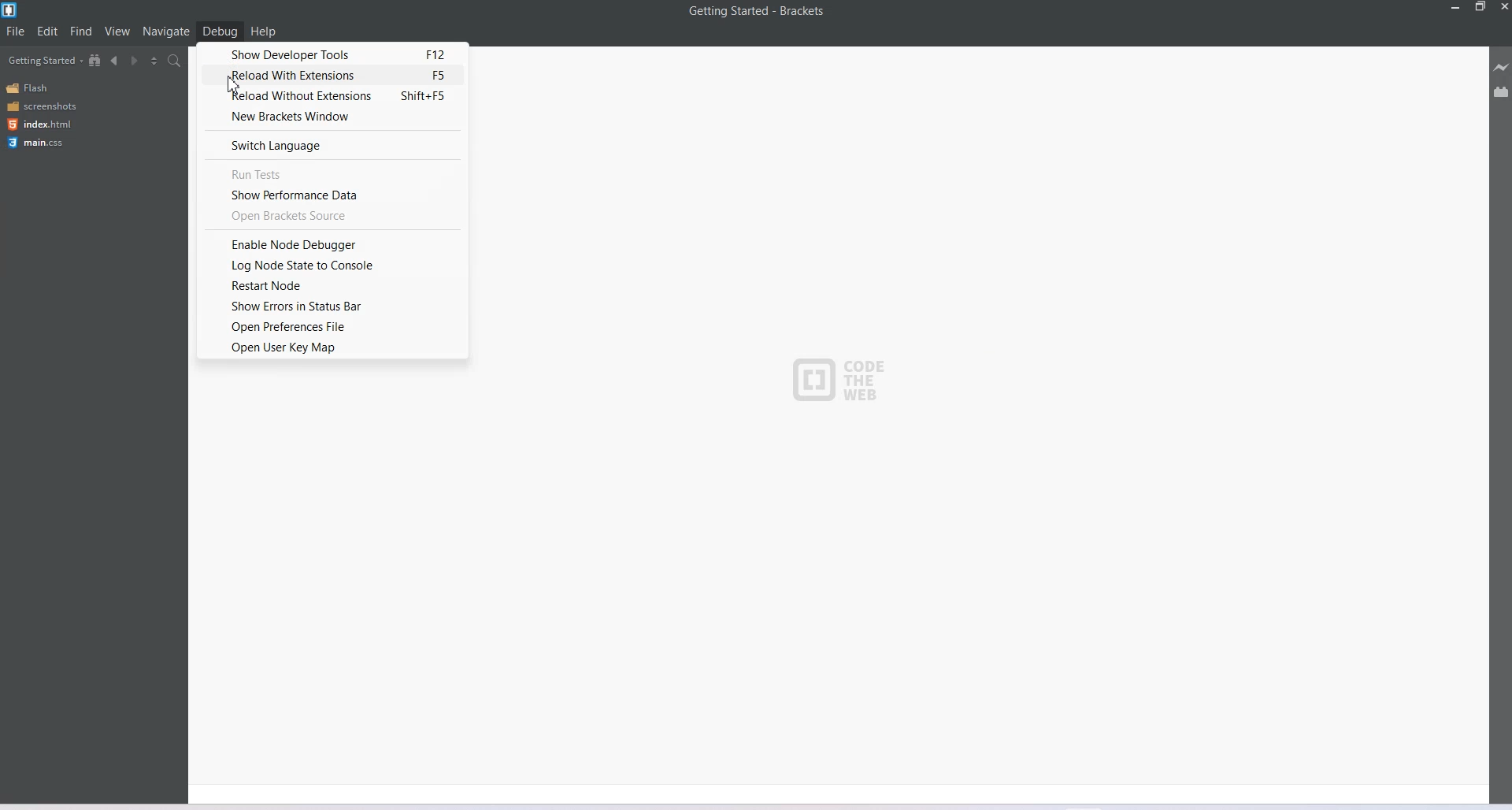 This screenshot has height=810, width=1512. What do you see at coordinates (234, 84) in the screenshot?
I see `Cursor` at bounding box center [234, 84].